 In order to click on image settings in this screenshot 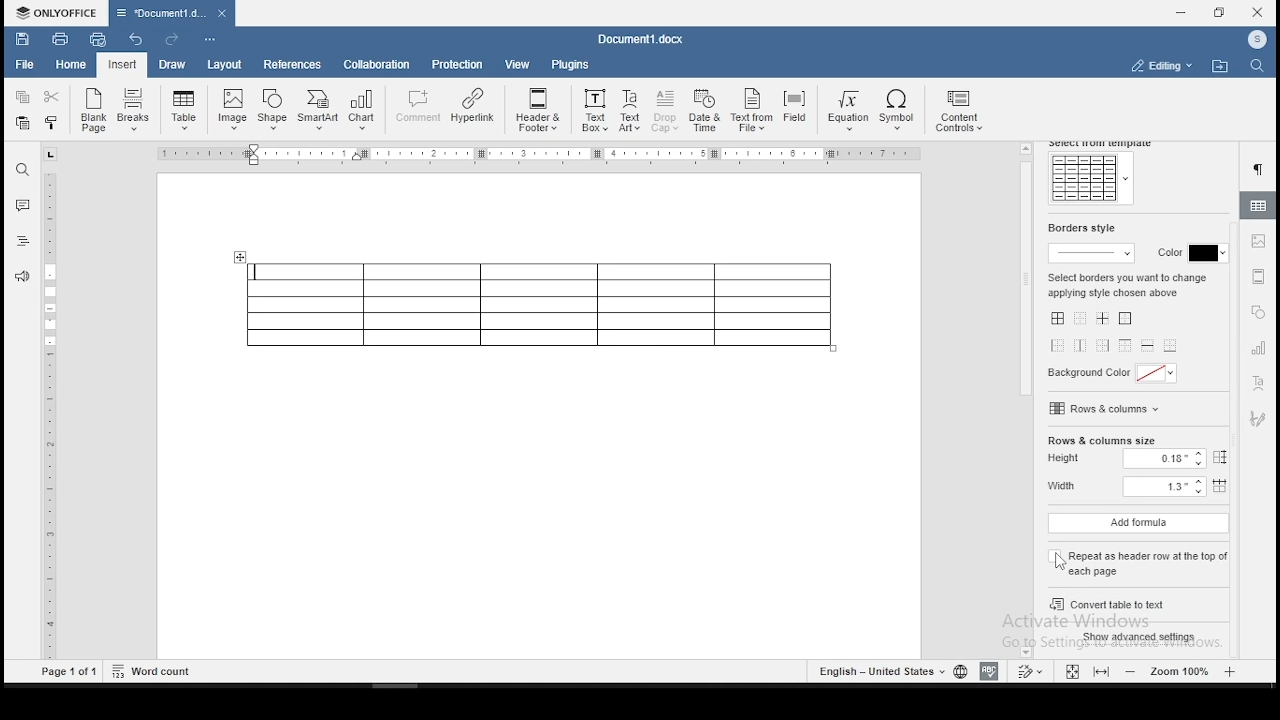, I will do `click(1260, 242)`.